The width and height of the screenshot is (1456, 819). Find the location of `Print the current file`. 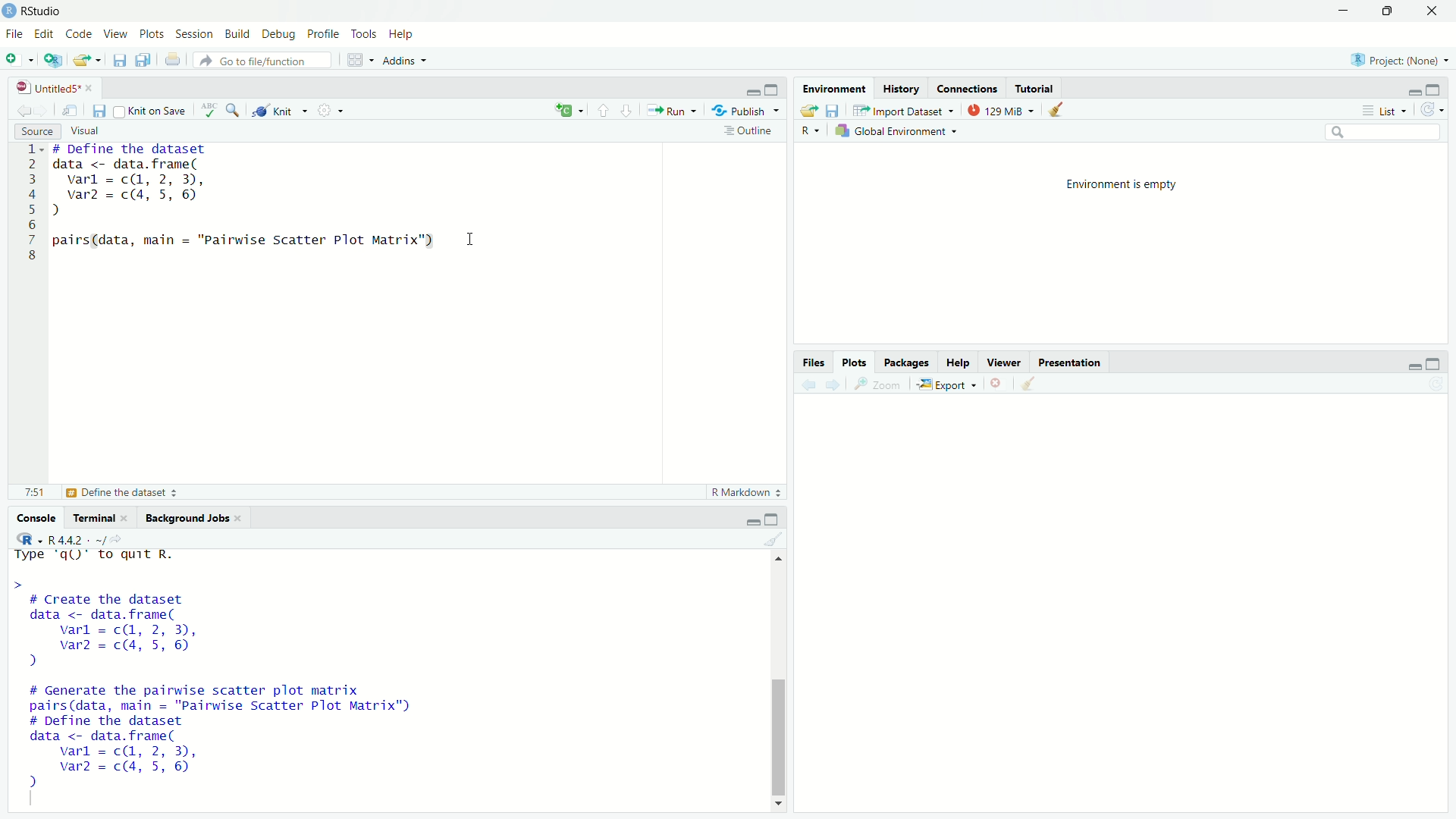

Print the current file is located at coordinates (172, 58).